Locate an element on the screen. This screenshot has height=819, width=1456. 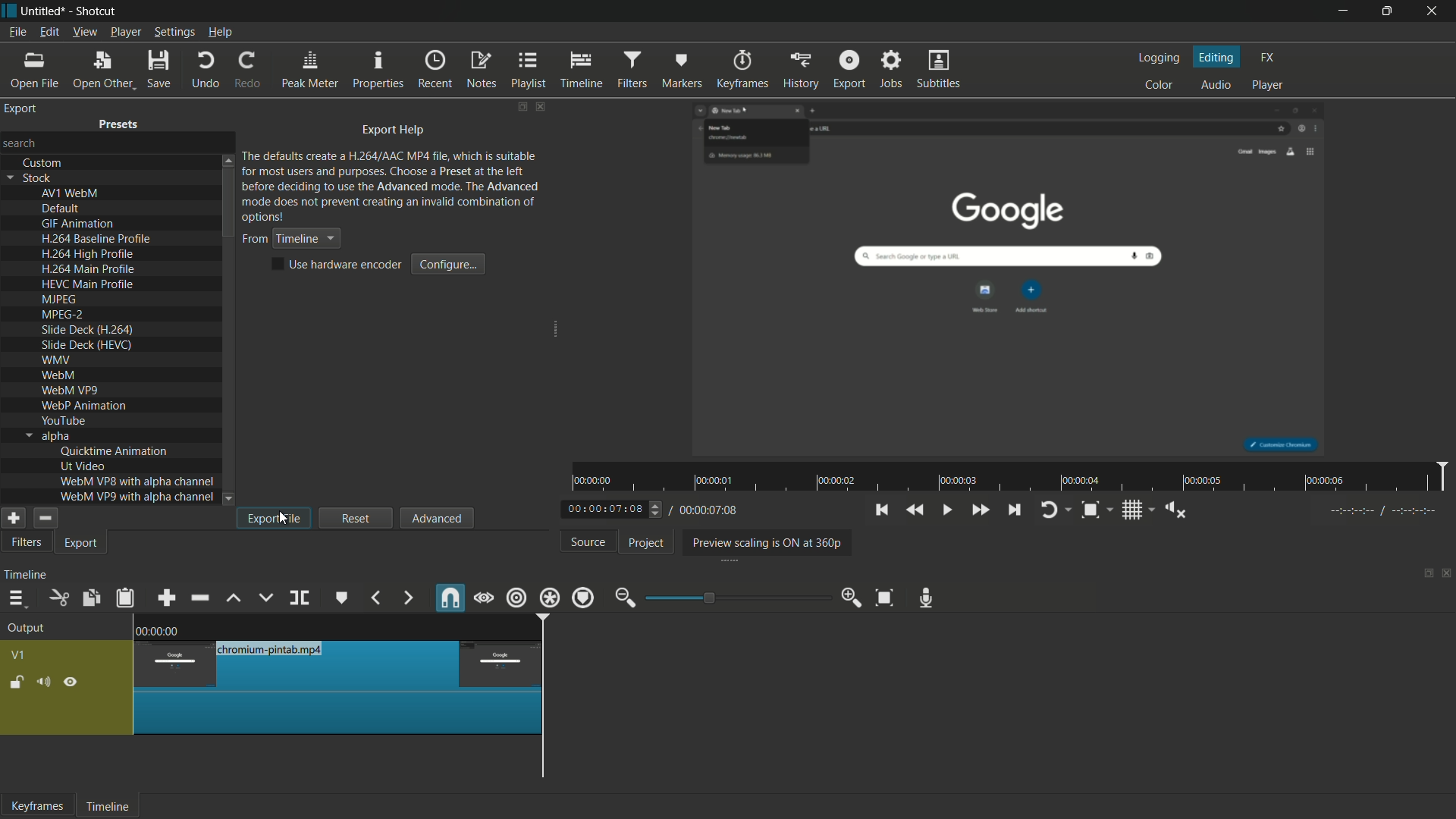
close timeline is located at coordinates (1447, 575).